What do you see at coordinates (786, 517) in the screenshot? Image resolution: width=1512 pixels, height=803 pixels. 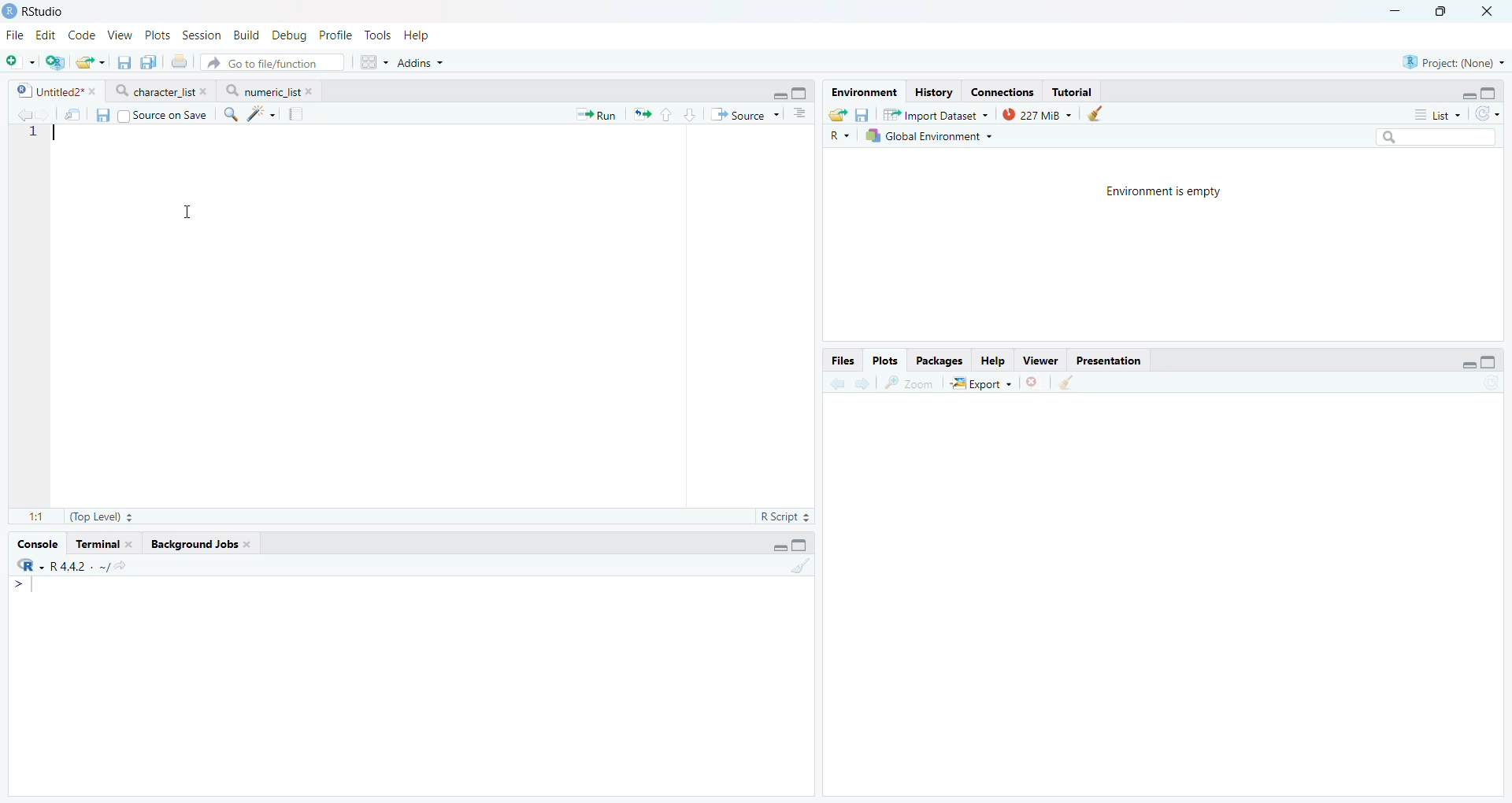 I see `R Script` at bounding box center [786, 517].